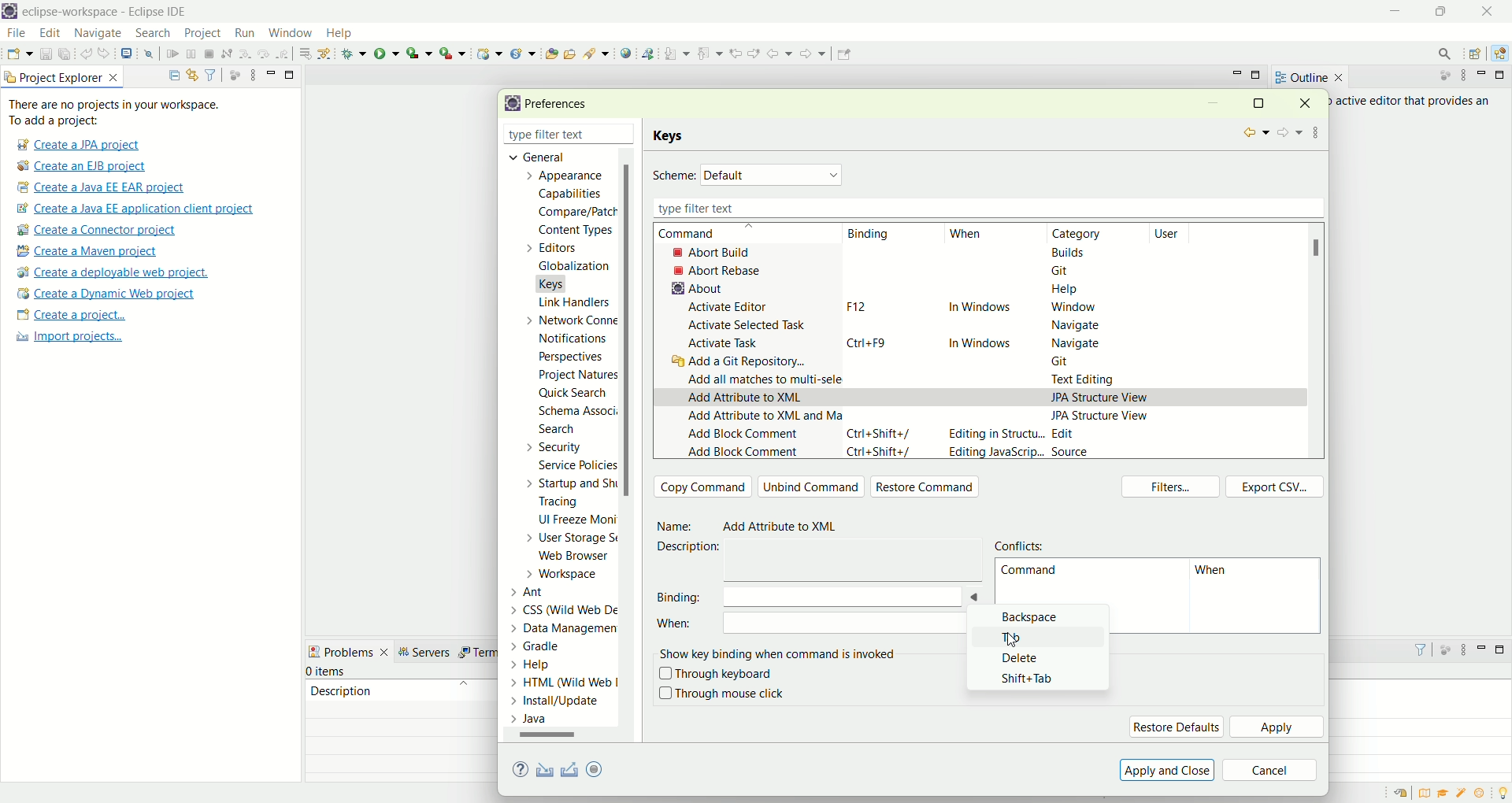  I want to click on run, so click(387, 53).